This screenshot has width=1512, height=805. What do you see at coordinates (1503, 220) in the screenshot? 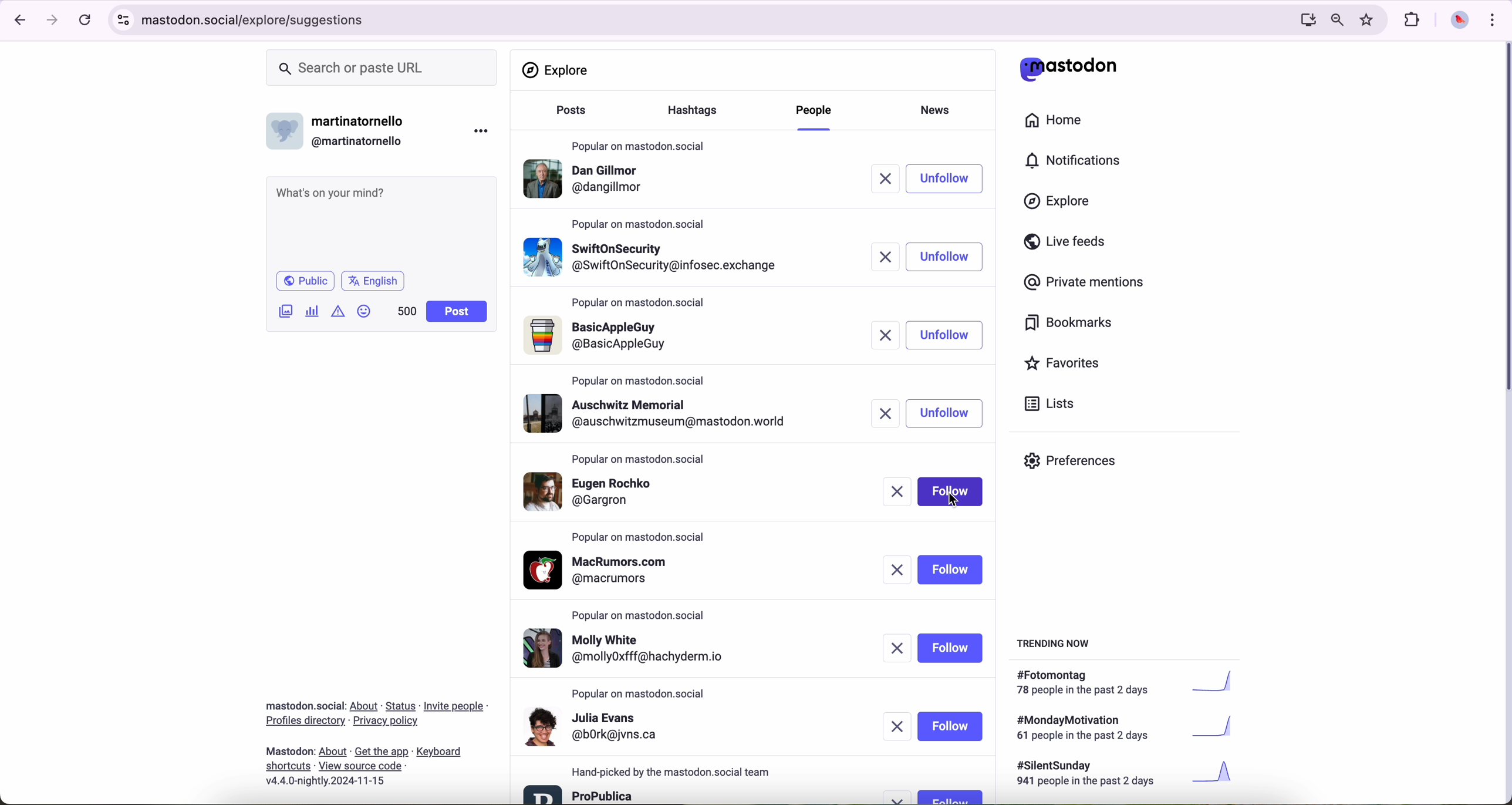
I see `scroll bar` at bounding box center [1503, 220].